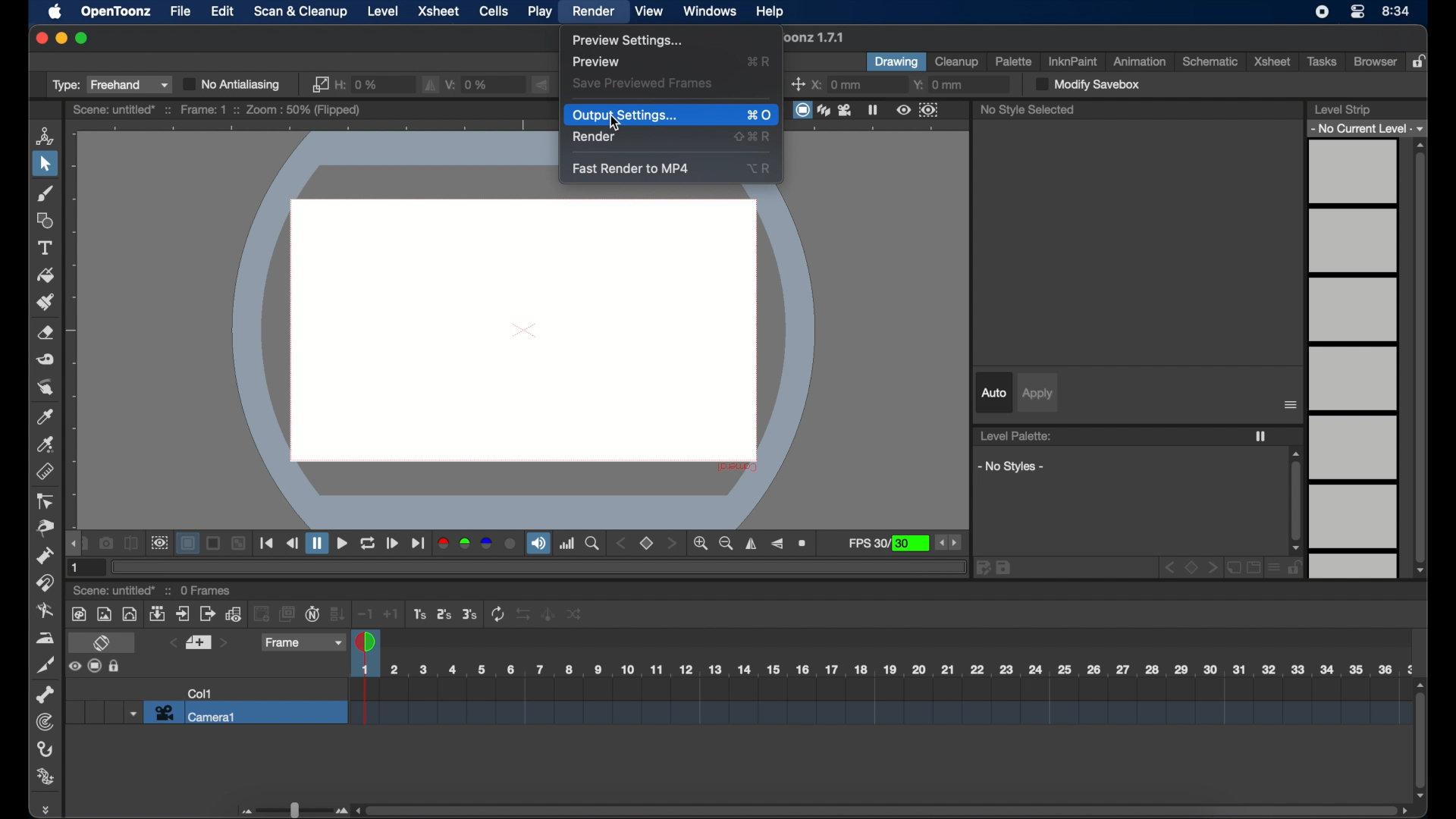 The height and width of the screenshot is (819, 1456). I want to click on preview, so click(597, 61).